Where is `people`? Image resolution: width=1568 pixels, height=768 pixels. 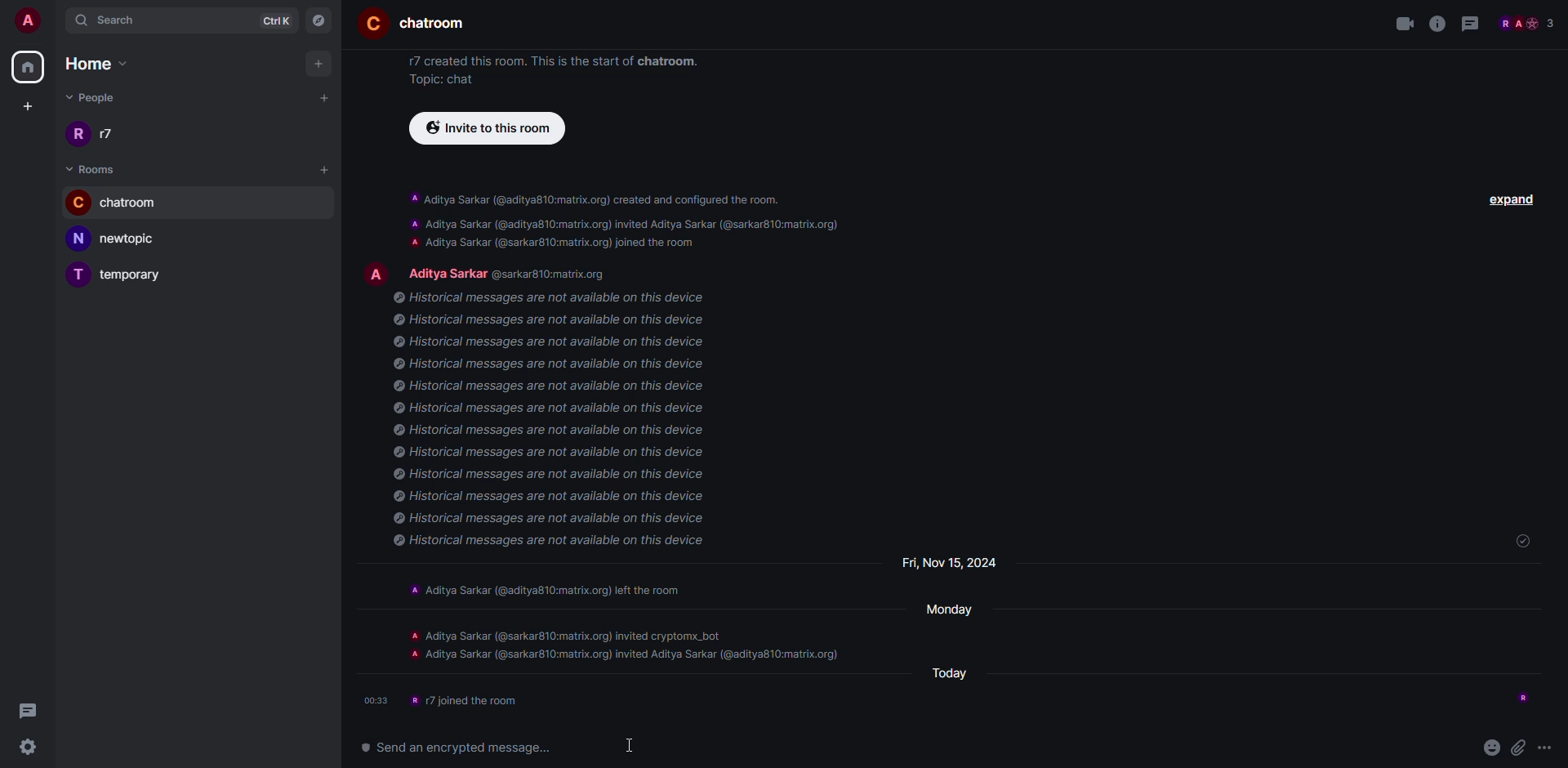 people is located at coordinates (516, 271).